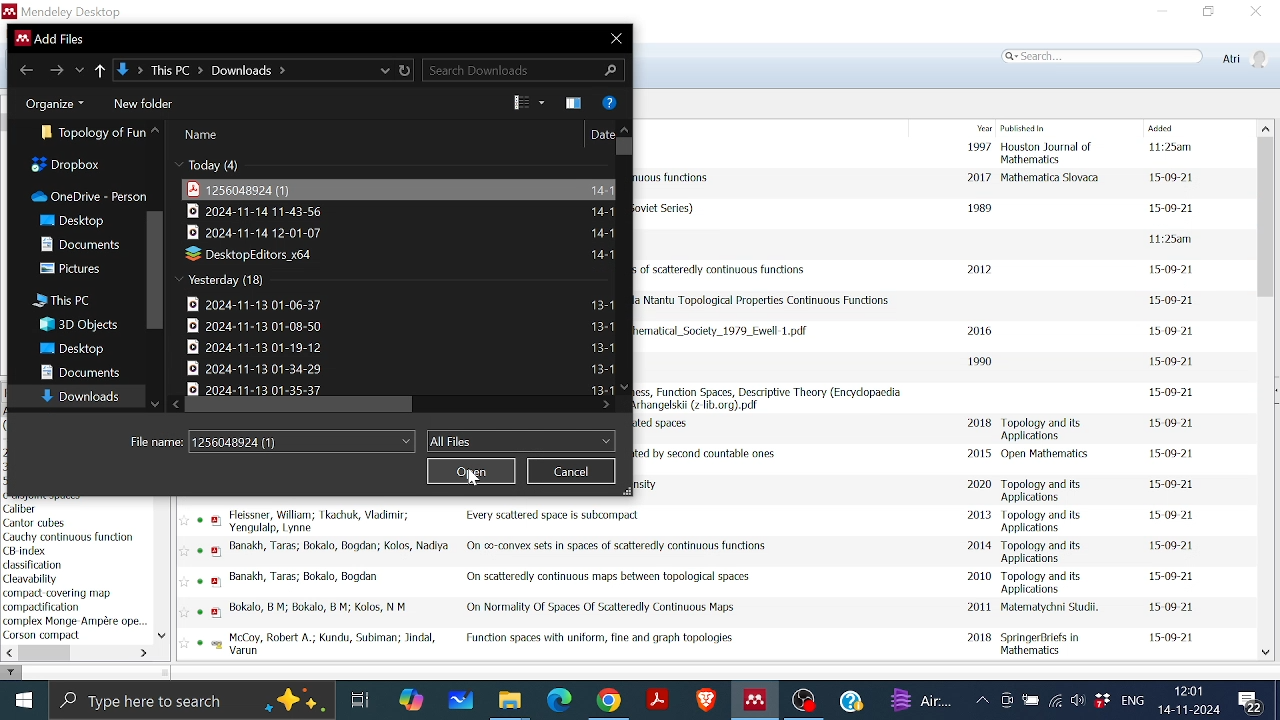 This screenshot has width=1280, height=720. What do you see at coordinates (202, 553) in the screenshot?
I see `read status` at bounding box center [202, 553].